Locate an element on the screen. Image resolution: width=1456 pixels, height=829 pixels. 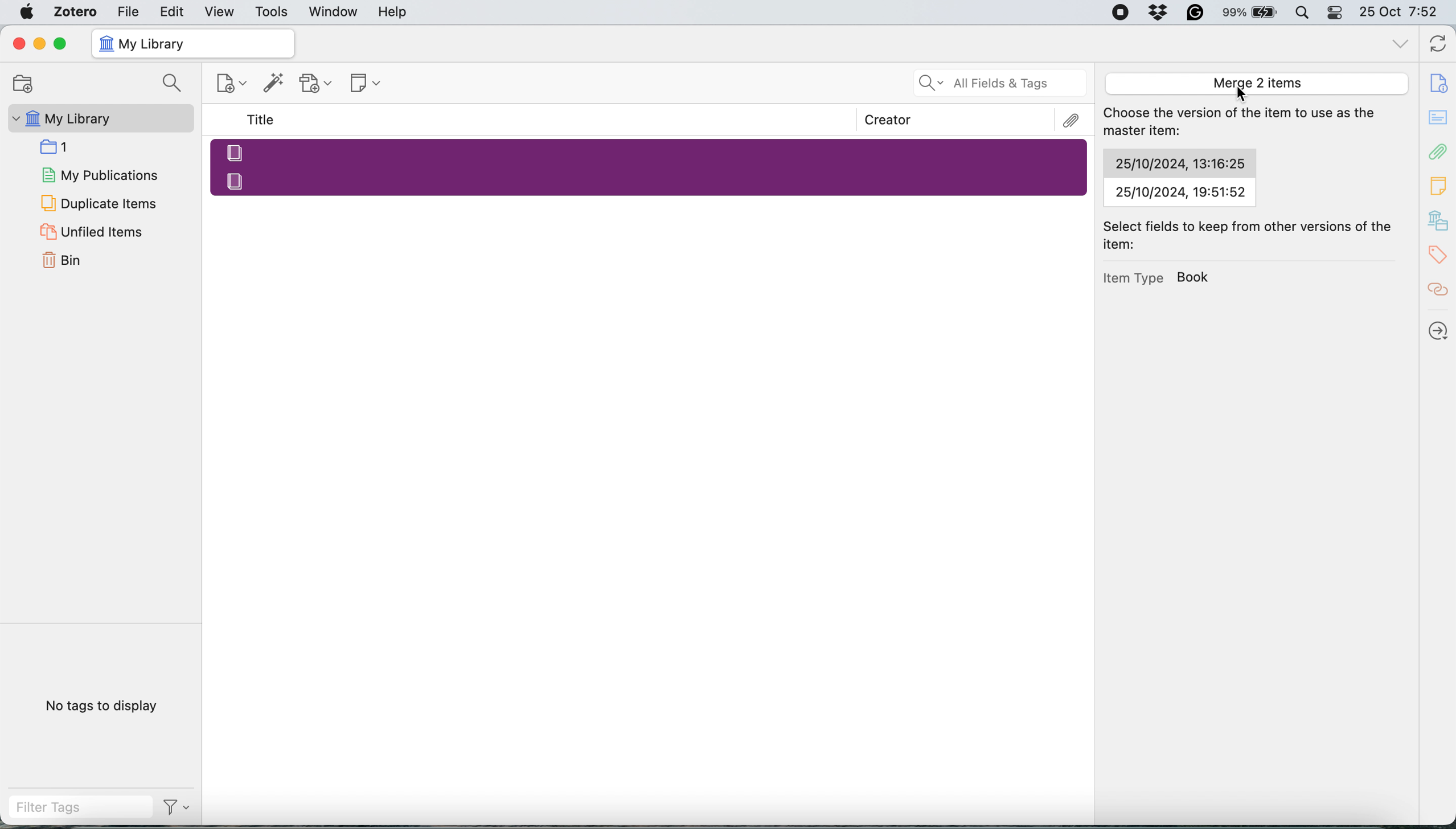
Add Item is located at coordinates (274, 86).